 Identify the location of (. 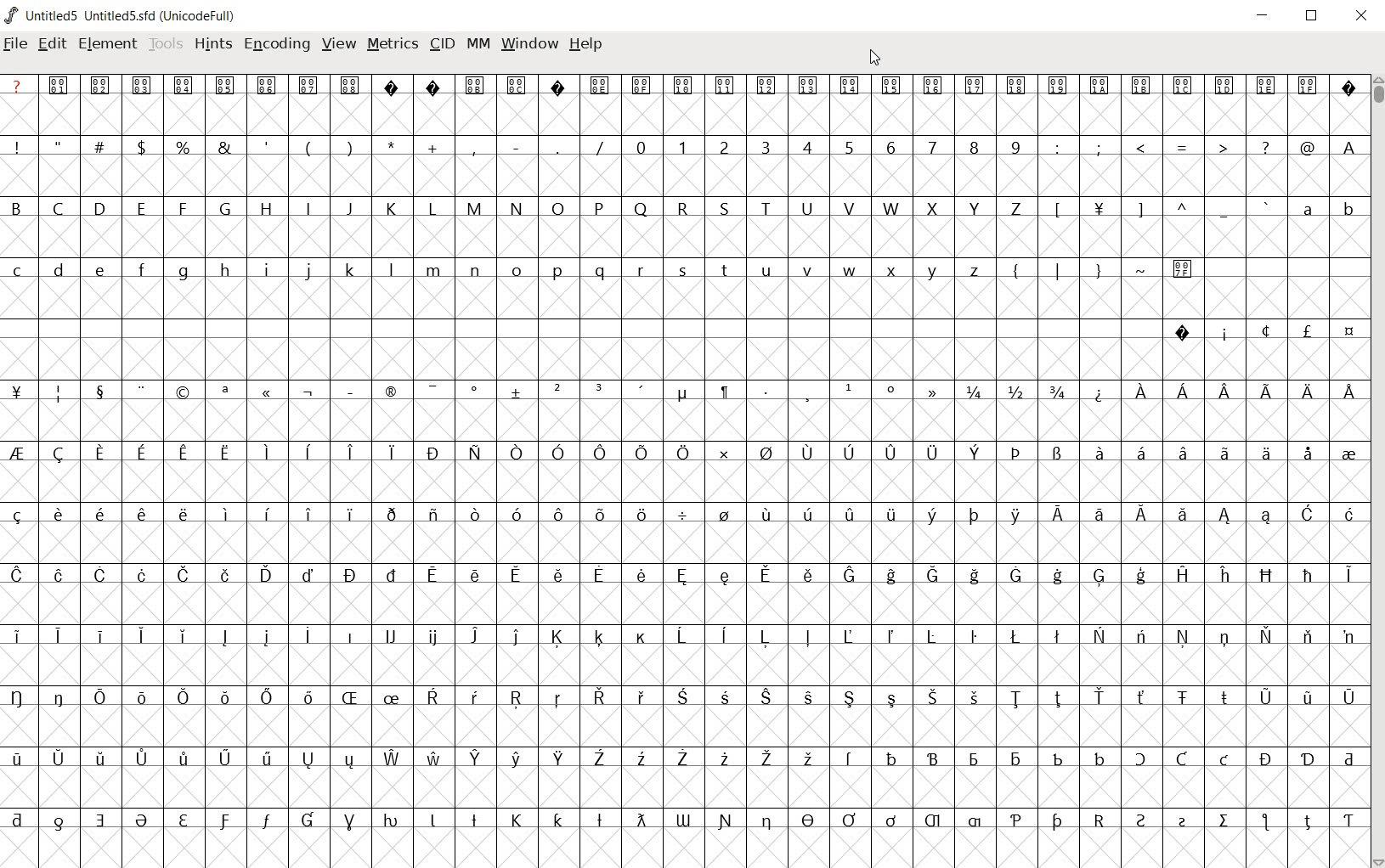
(309, 148).